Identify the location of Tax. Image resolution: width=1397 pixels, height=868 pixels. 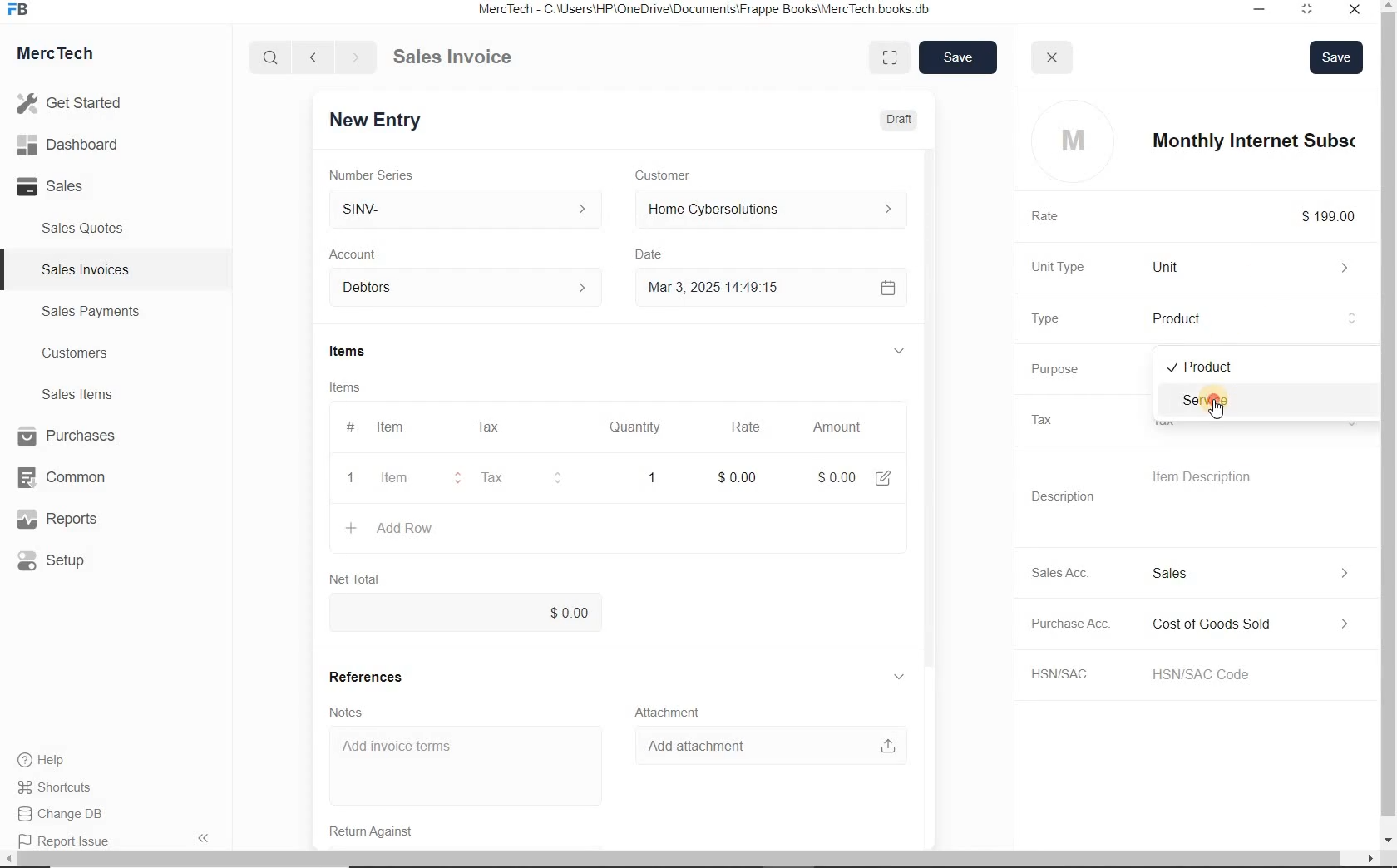
(496, 427).